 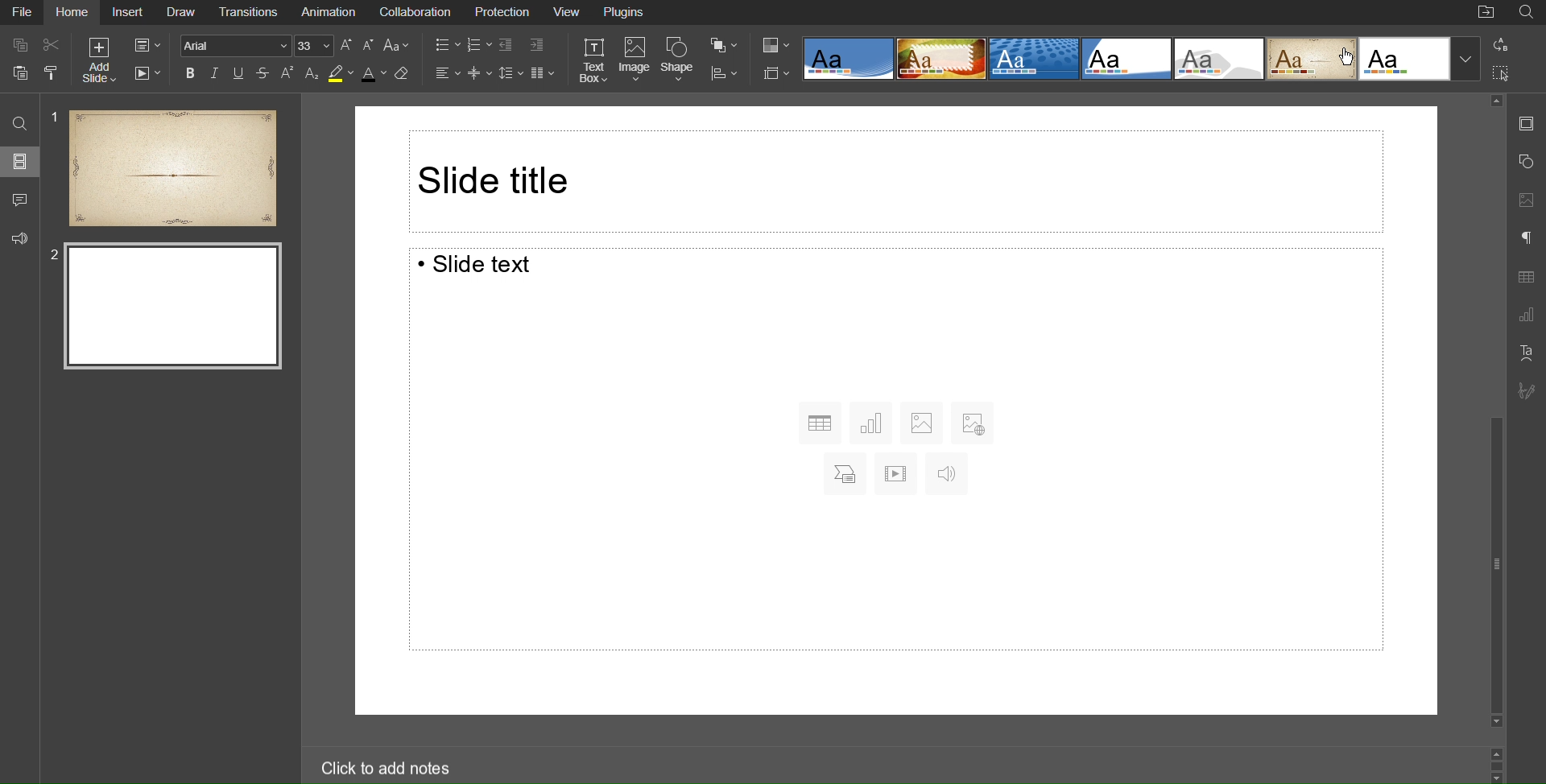 I want to click on Subscript, so click(x=312, y=73).